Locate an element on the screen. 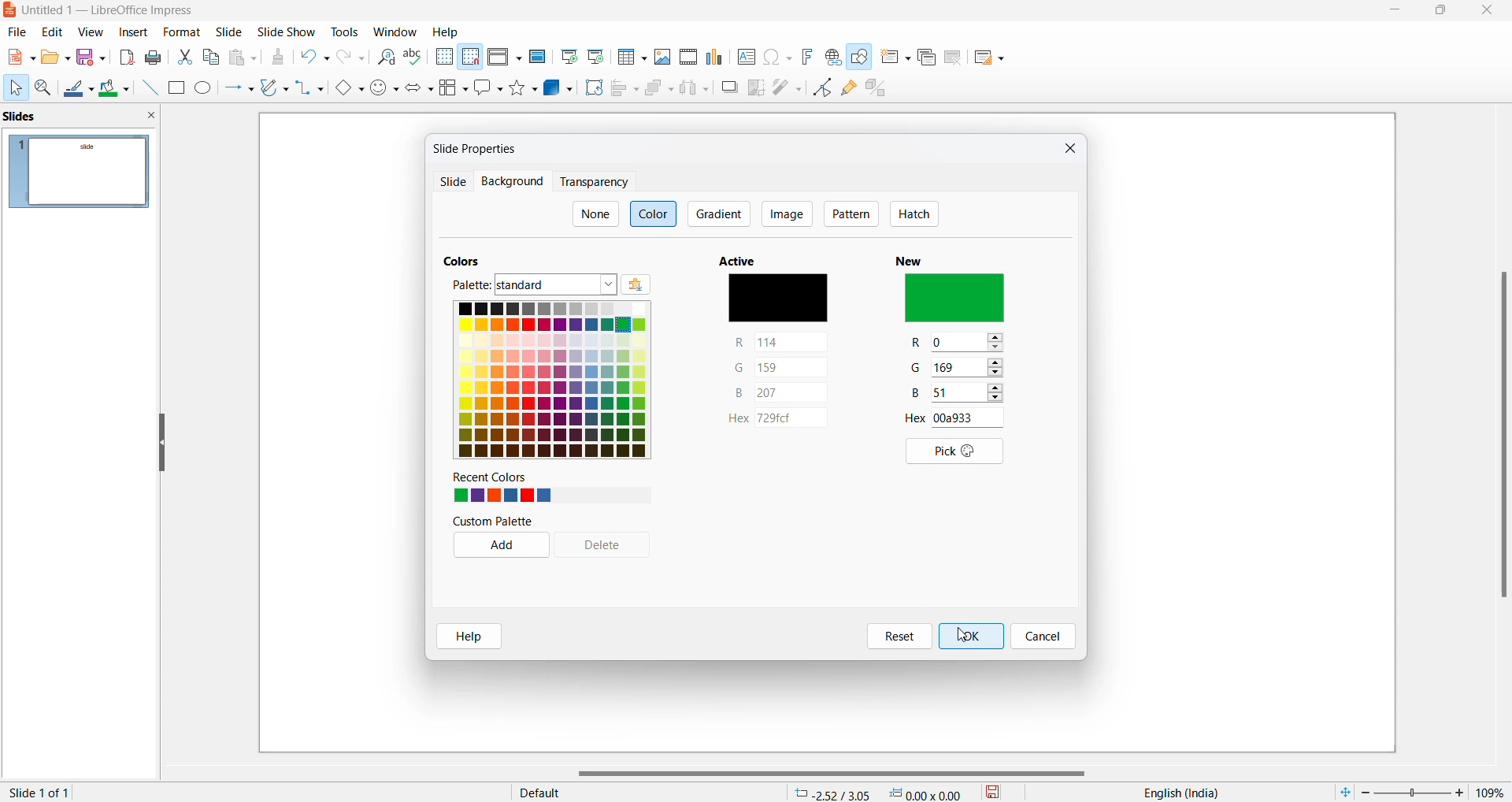 The image size is (1512, 802). crop image is located at coordinates (757, 87).